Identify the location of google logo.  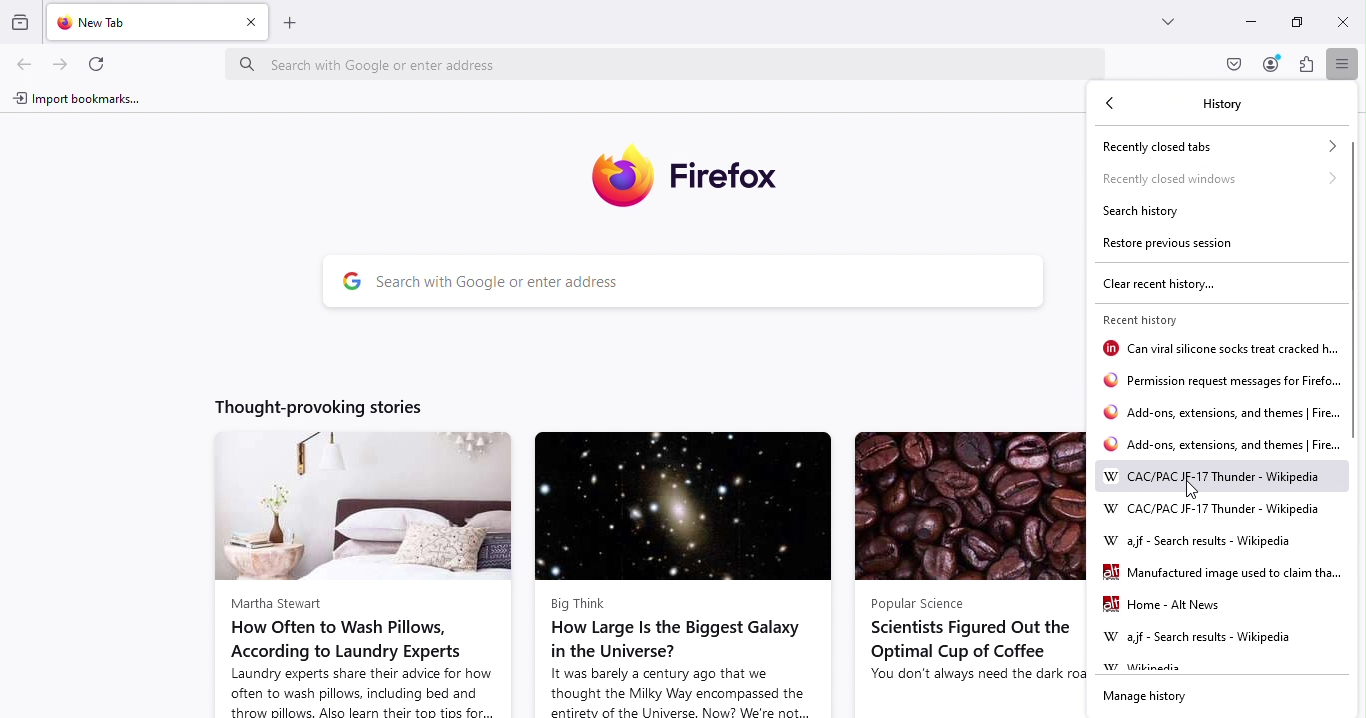
(345, 284).